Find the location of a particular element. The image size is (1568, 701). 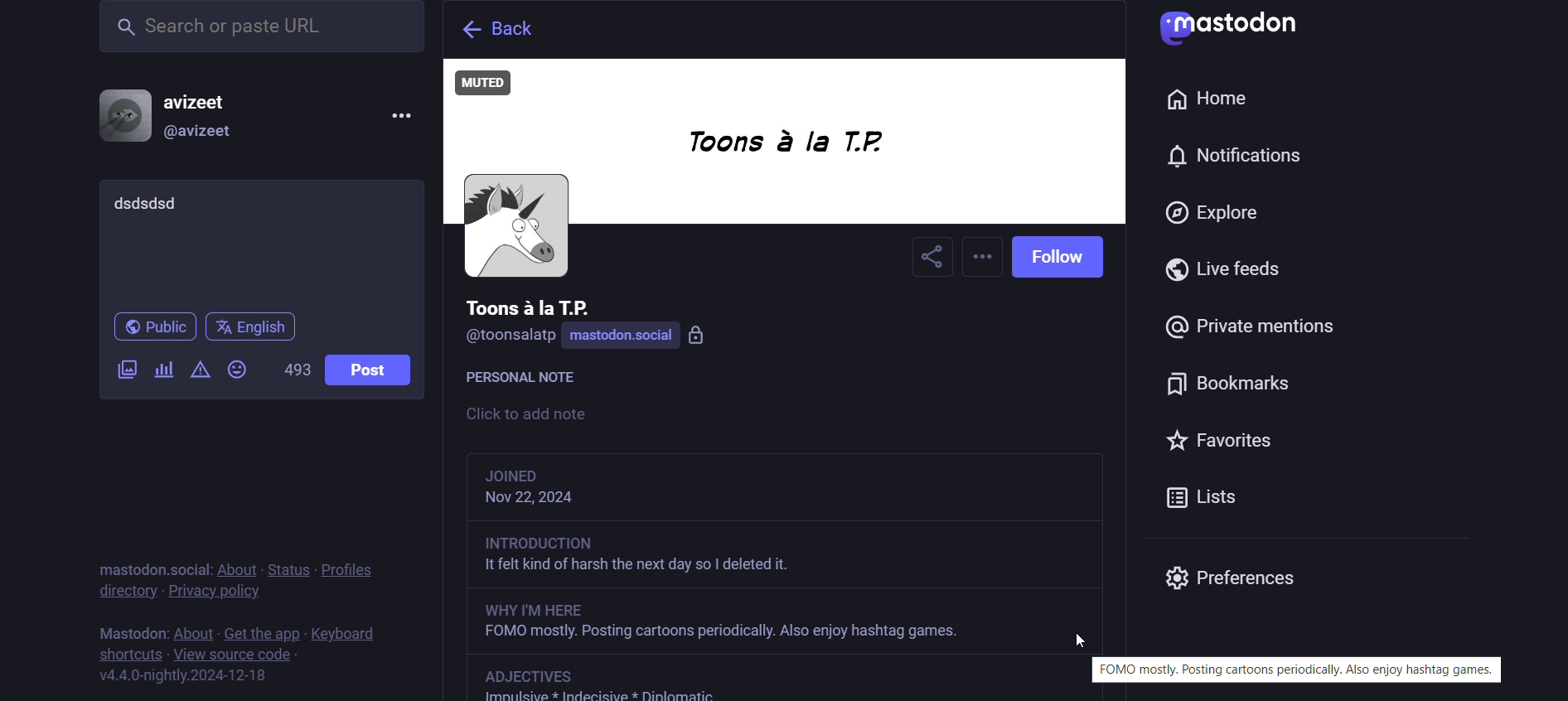

privacy policy is located at coordinates (228, 592).